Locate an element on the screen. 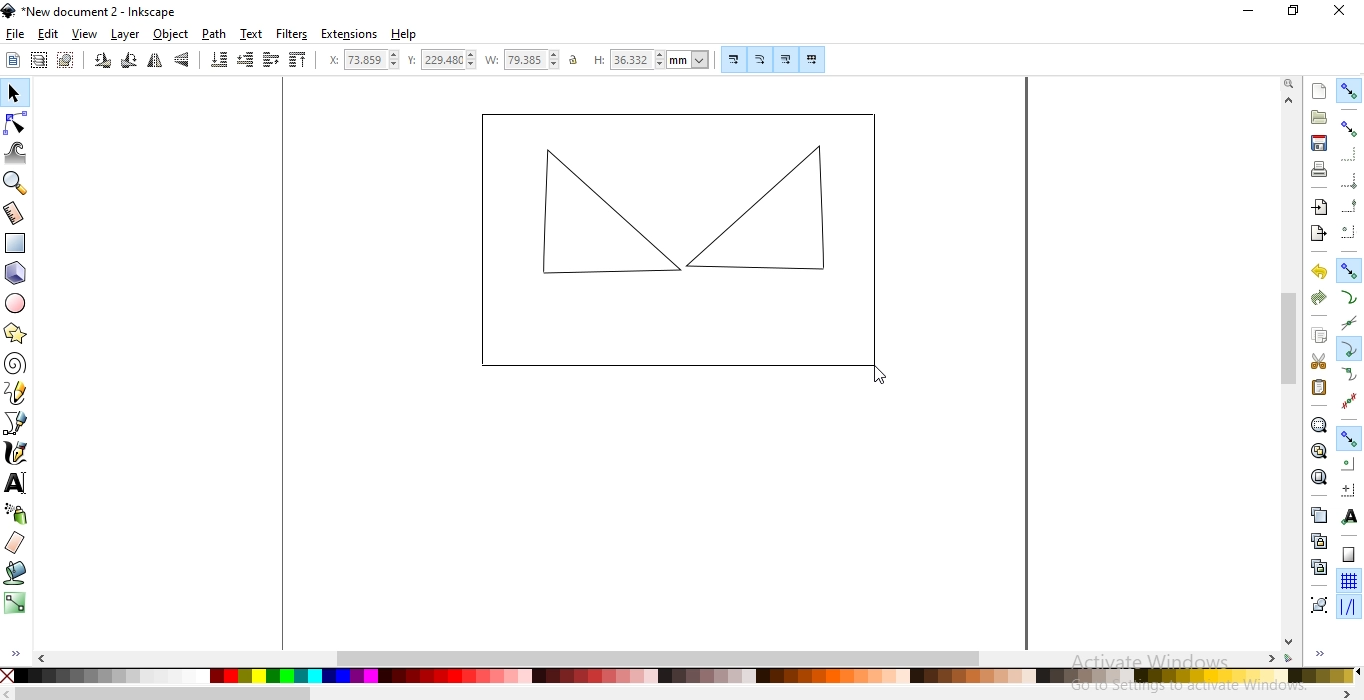 The width and height of the screenshot is (1364, 700). cut selection is located at coordinates (1314, 361).